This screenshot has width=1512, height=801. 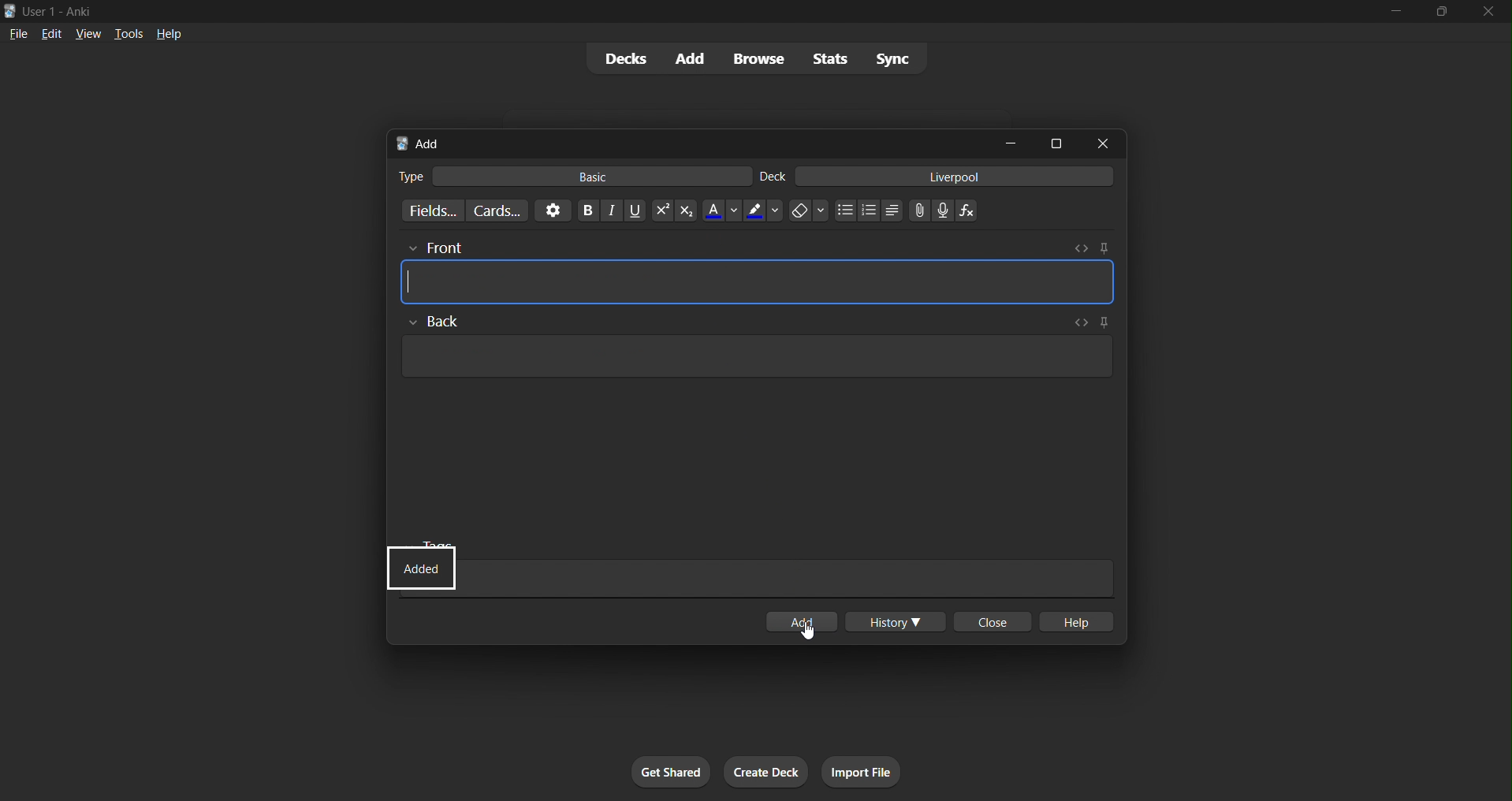 I want to click on customize card fields, so click(x=430, y=210).